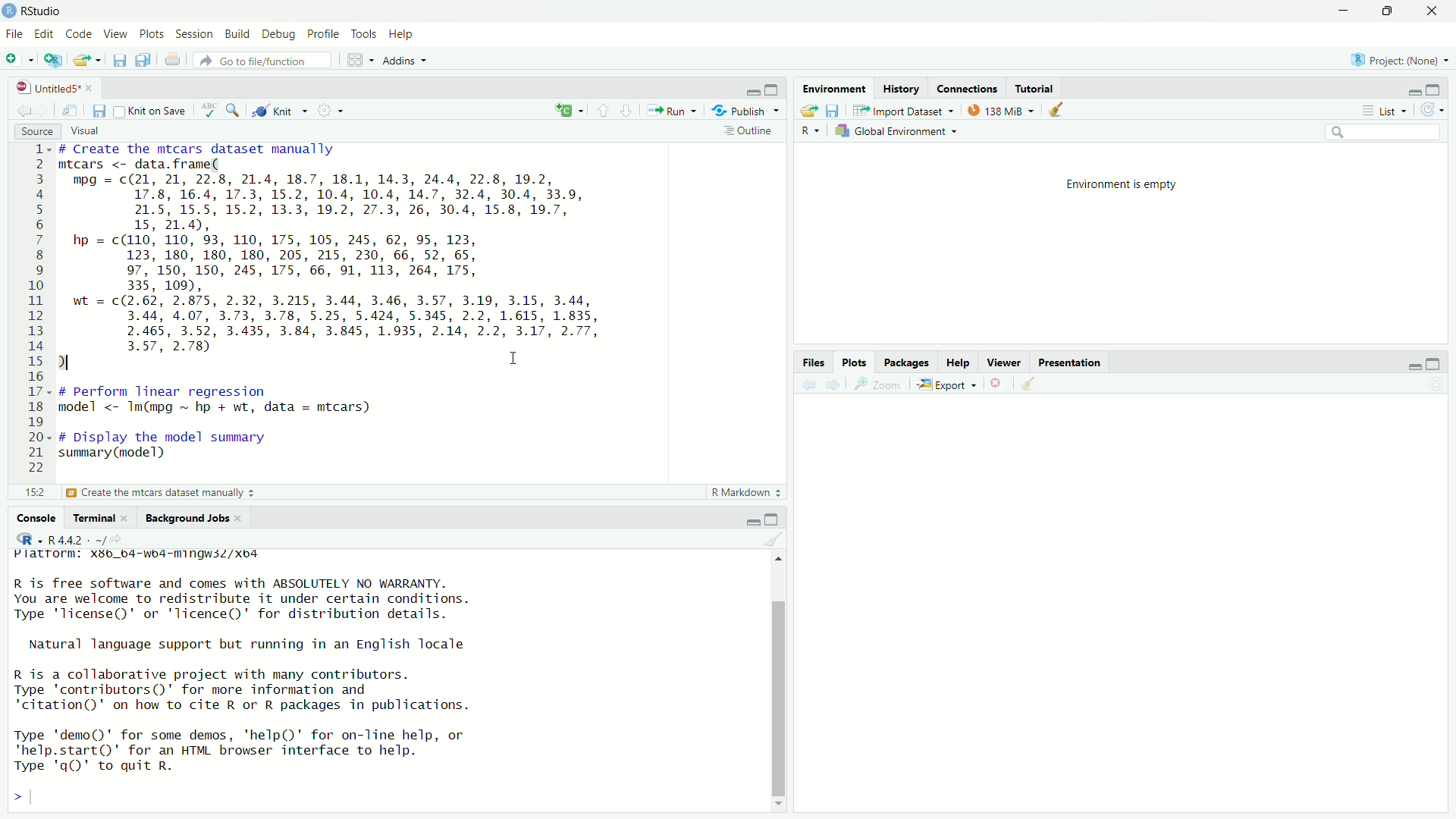 This screenshot has height=819, width=1456. Describe the element at coordinates (897, 111) in the screenshot. I see `import dataset` at that location.